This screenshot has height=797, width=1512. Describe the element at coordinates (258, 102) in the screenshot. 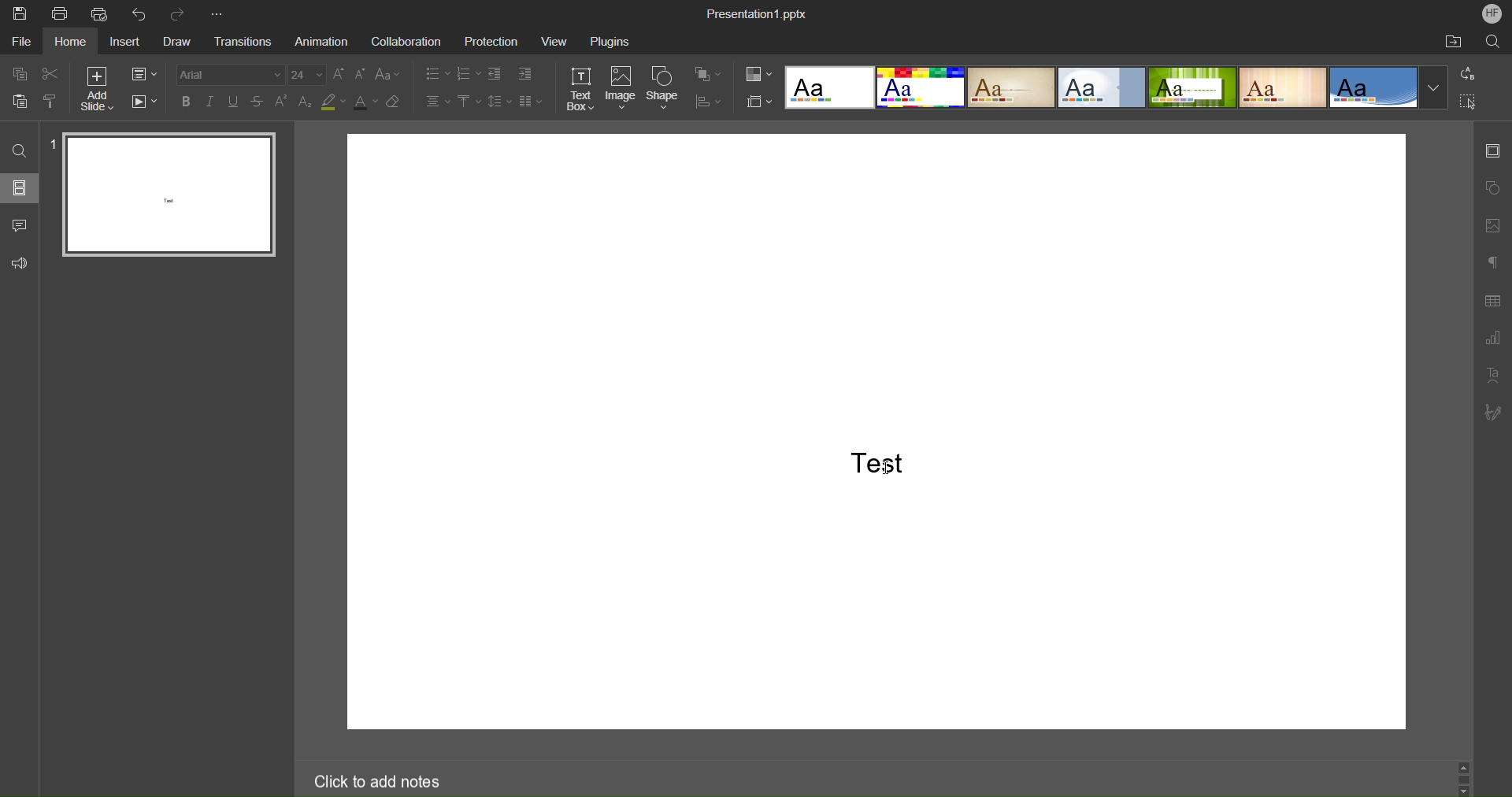

I see `Strikethrough` at that location.